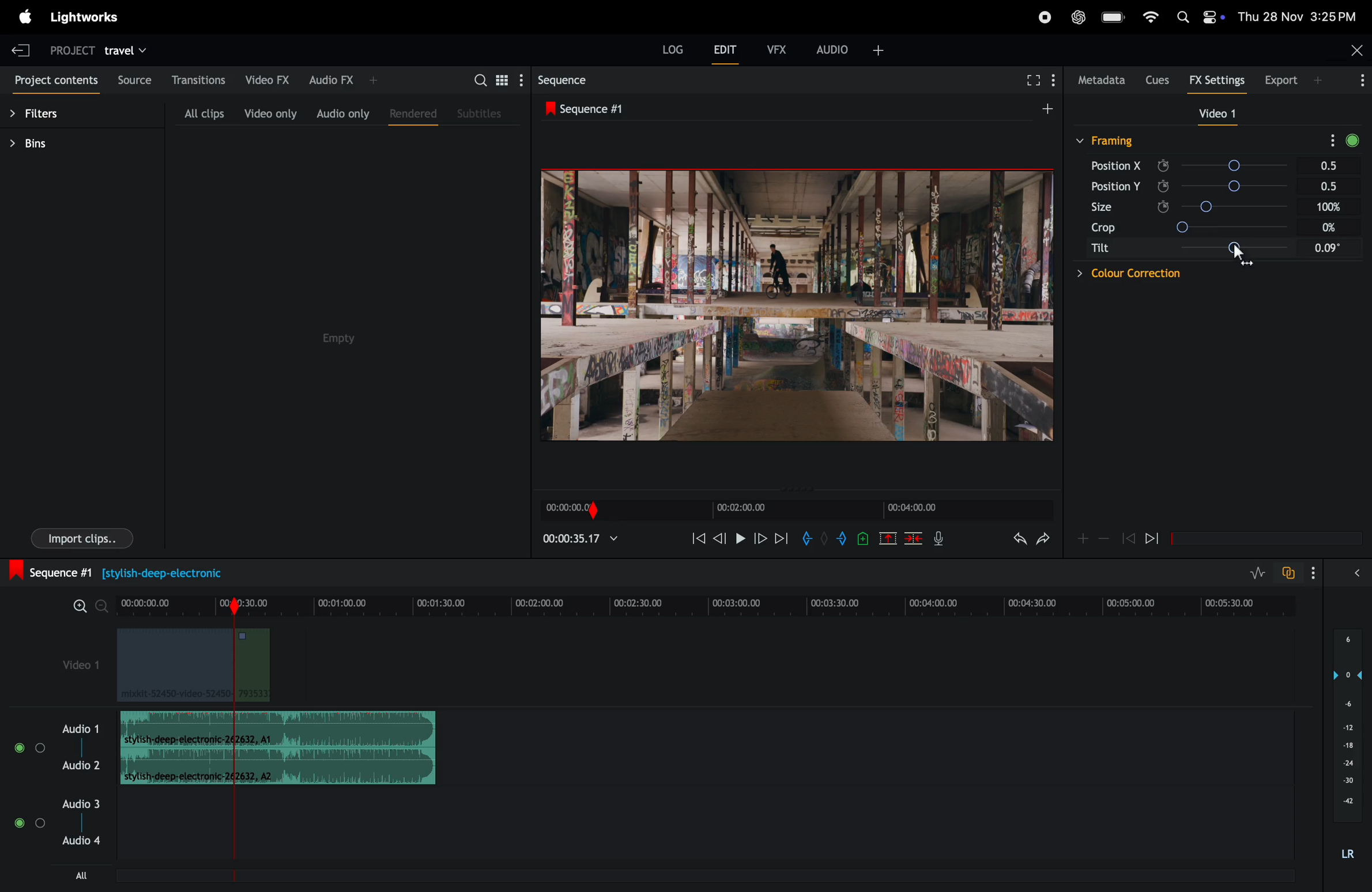  What do you see at coordinates (1082, 541) in the screenshot?
I see `Add keyframe` at bounding box center [1082, 541].